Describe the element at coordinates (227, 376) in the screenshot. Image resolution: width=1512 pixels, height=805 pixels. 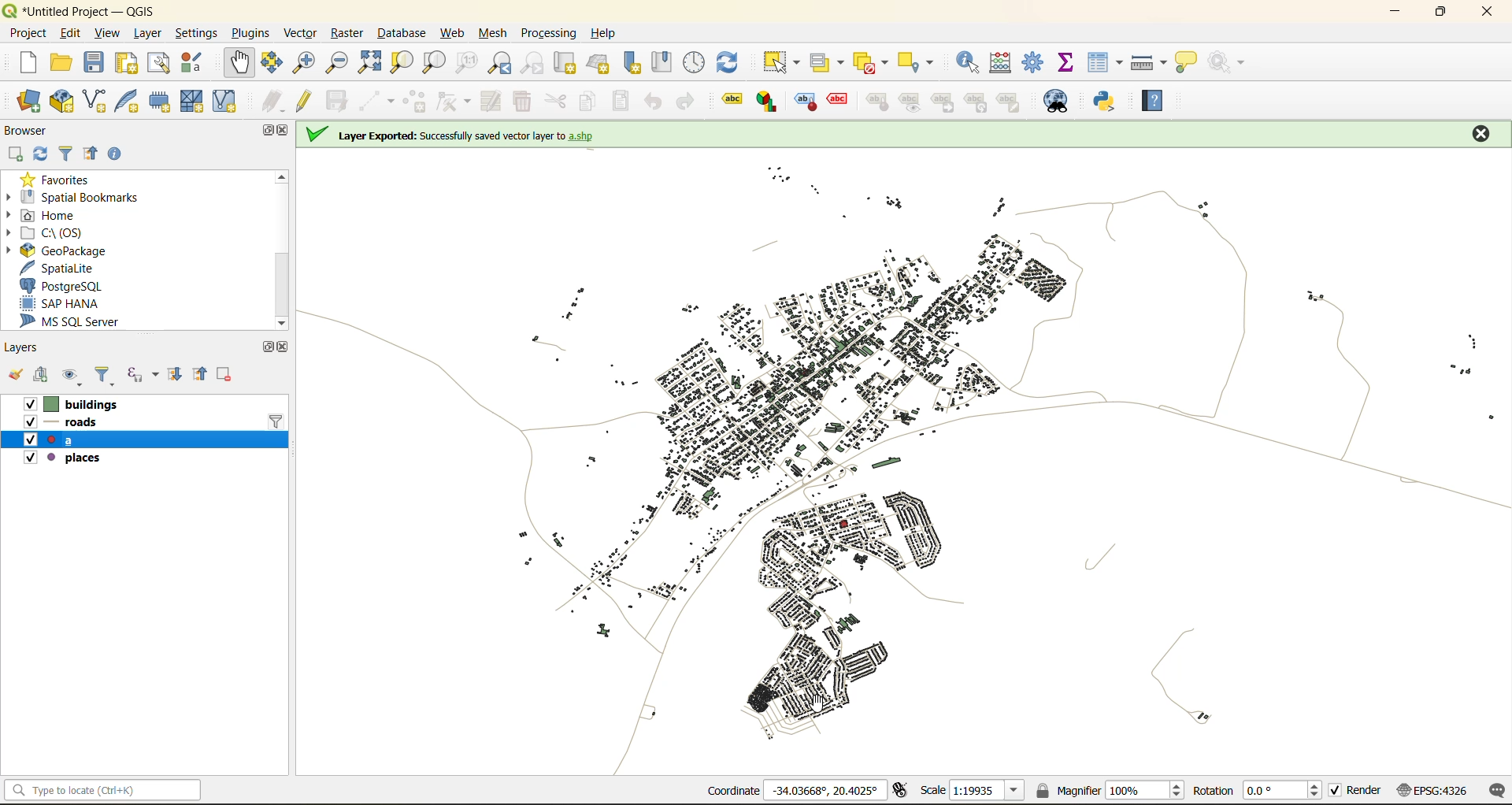
I see `remove` at that location.